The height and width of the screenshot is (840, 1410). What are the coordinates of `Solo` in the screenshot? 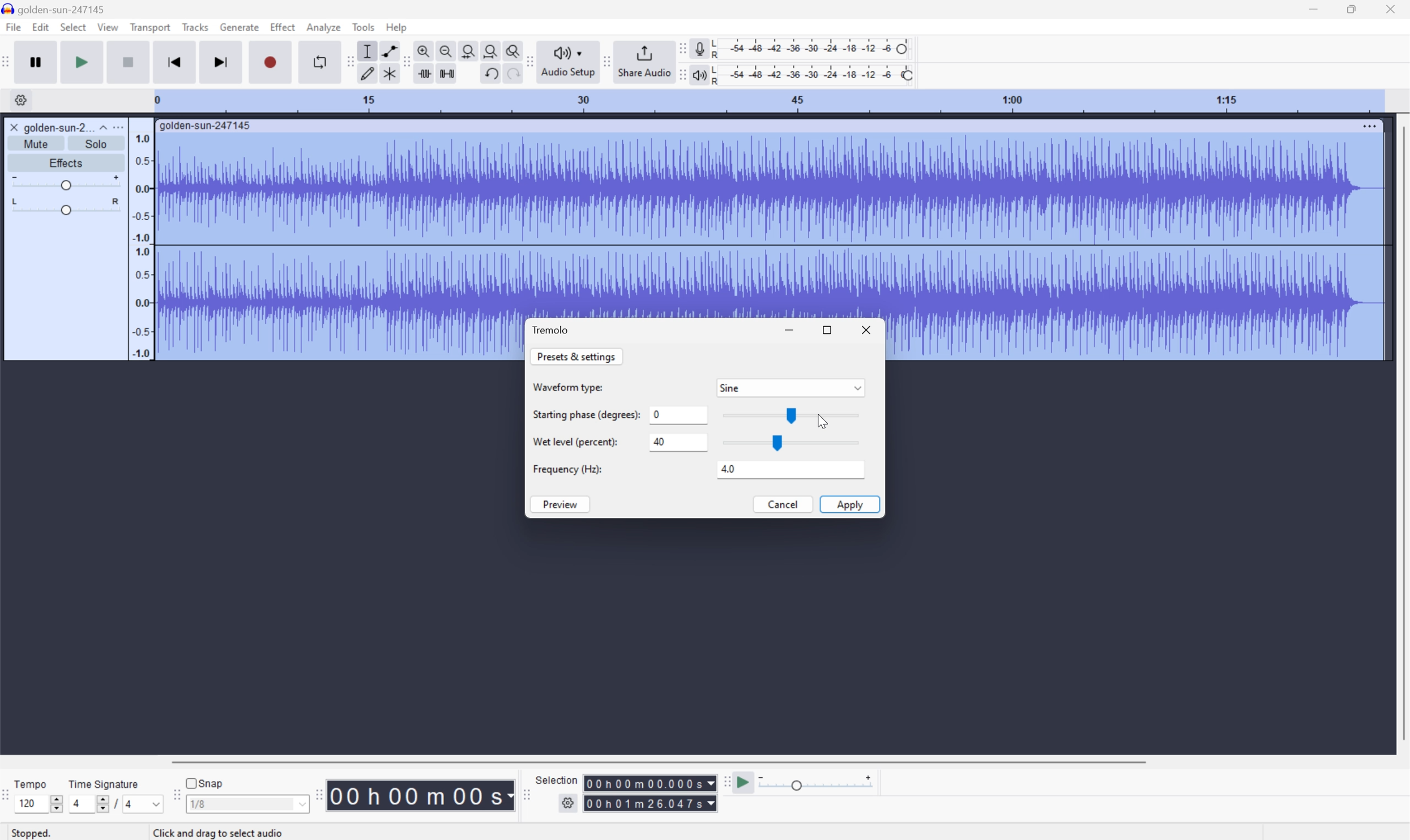 It's located at (96, 143).